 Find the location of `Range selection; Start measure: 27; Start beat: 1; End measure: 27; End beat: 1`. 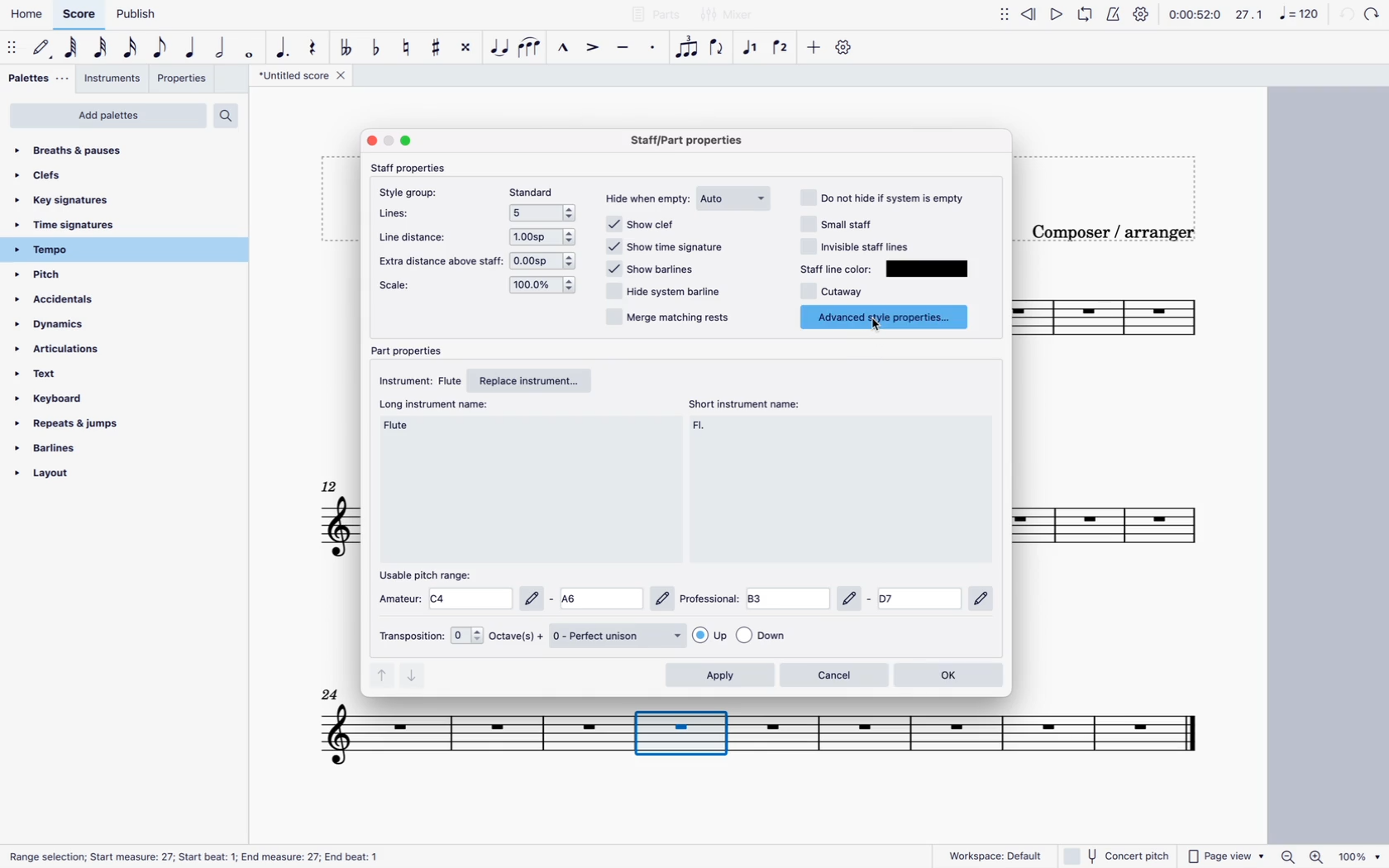

Range selection; Start measure: 27; Start beat: 1; End measure: 27; End beat: 1 is located at coordinates (197, 856).